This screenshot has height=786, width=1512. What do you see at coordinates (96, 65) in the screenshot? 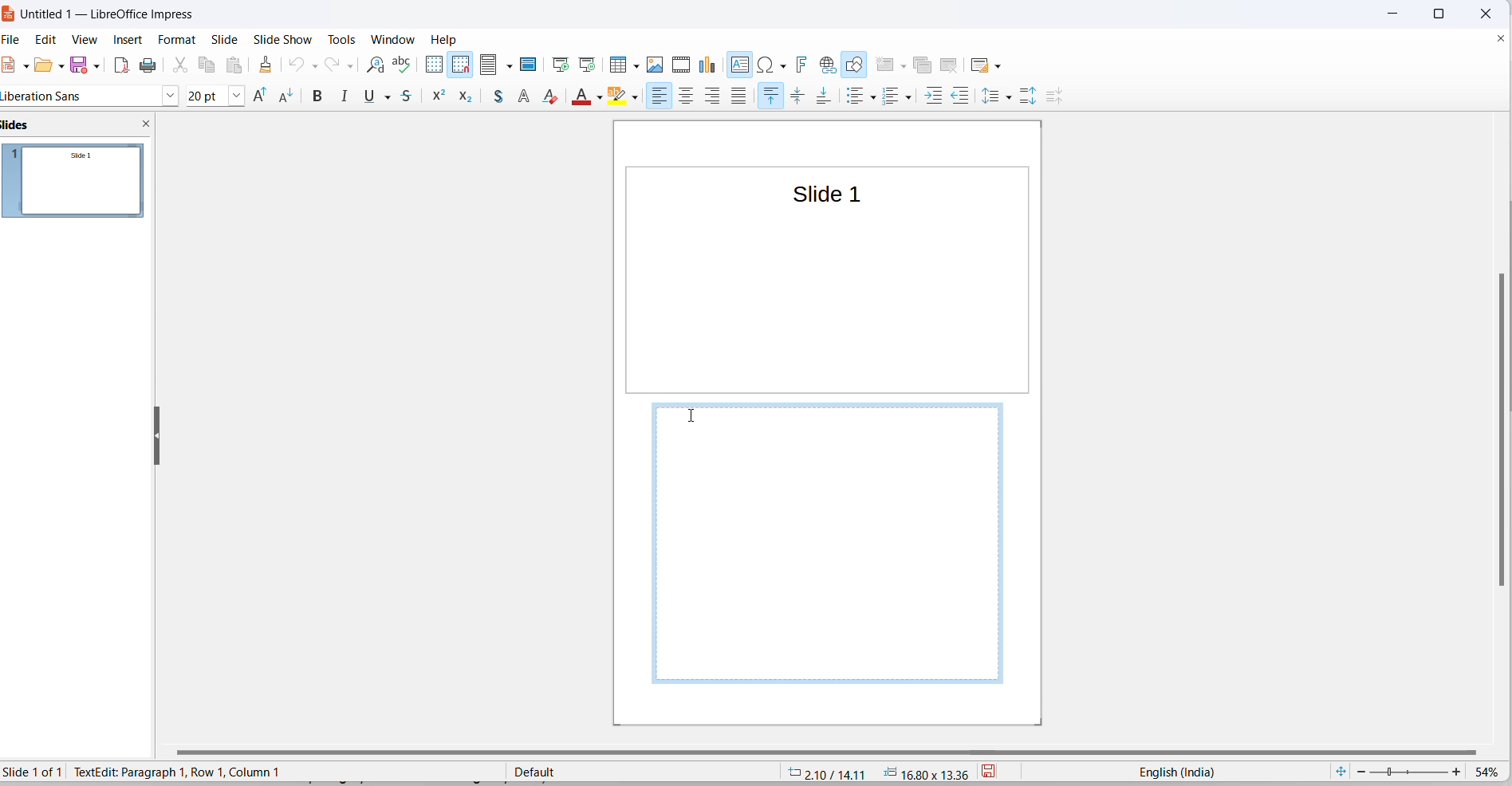
I see `save options` at bounding box center [96, 65].